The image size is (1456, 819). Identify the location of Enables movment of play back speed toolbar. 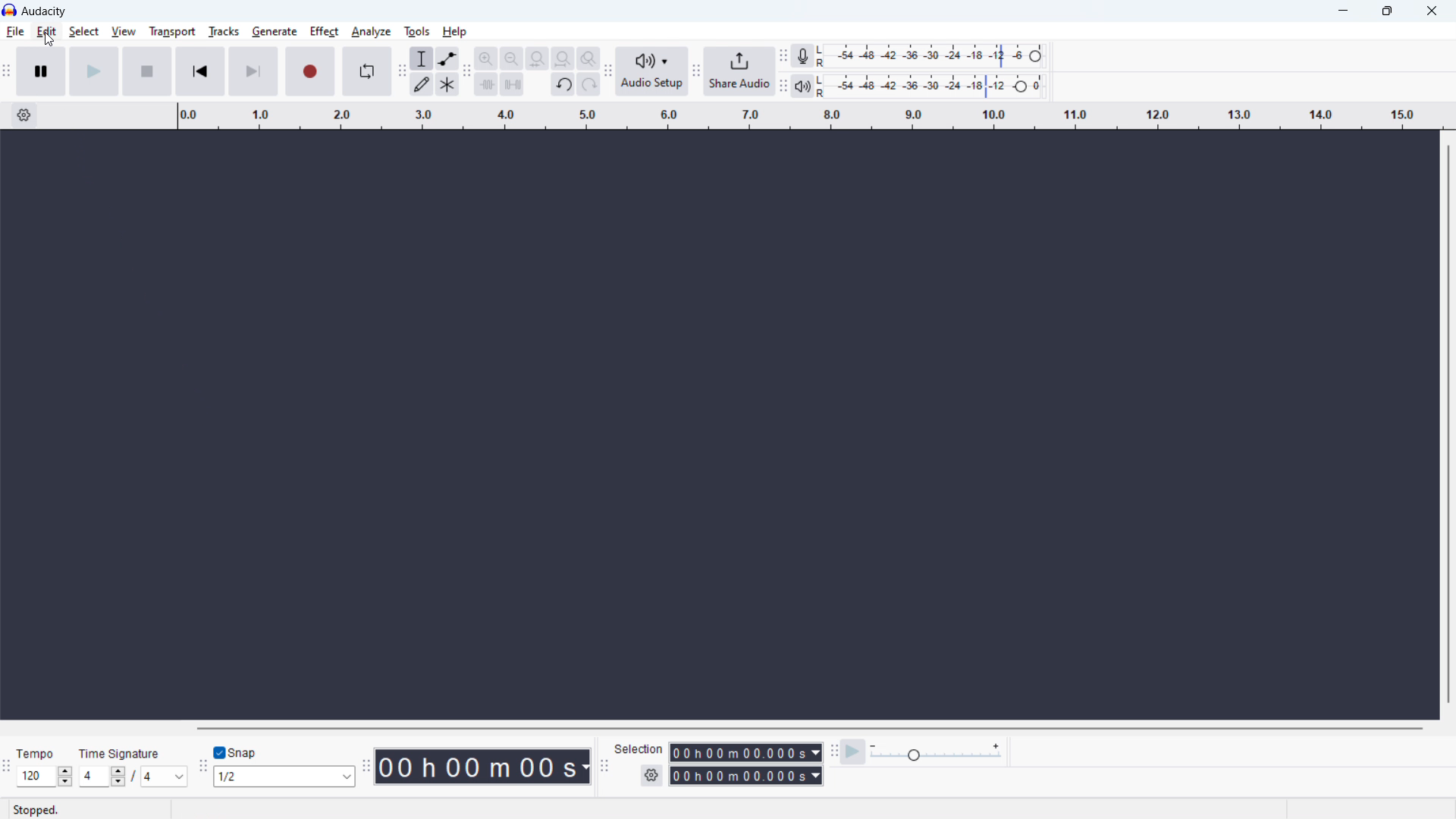
(834, 752).